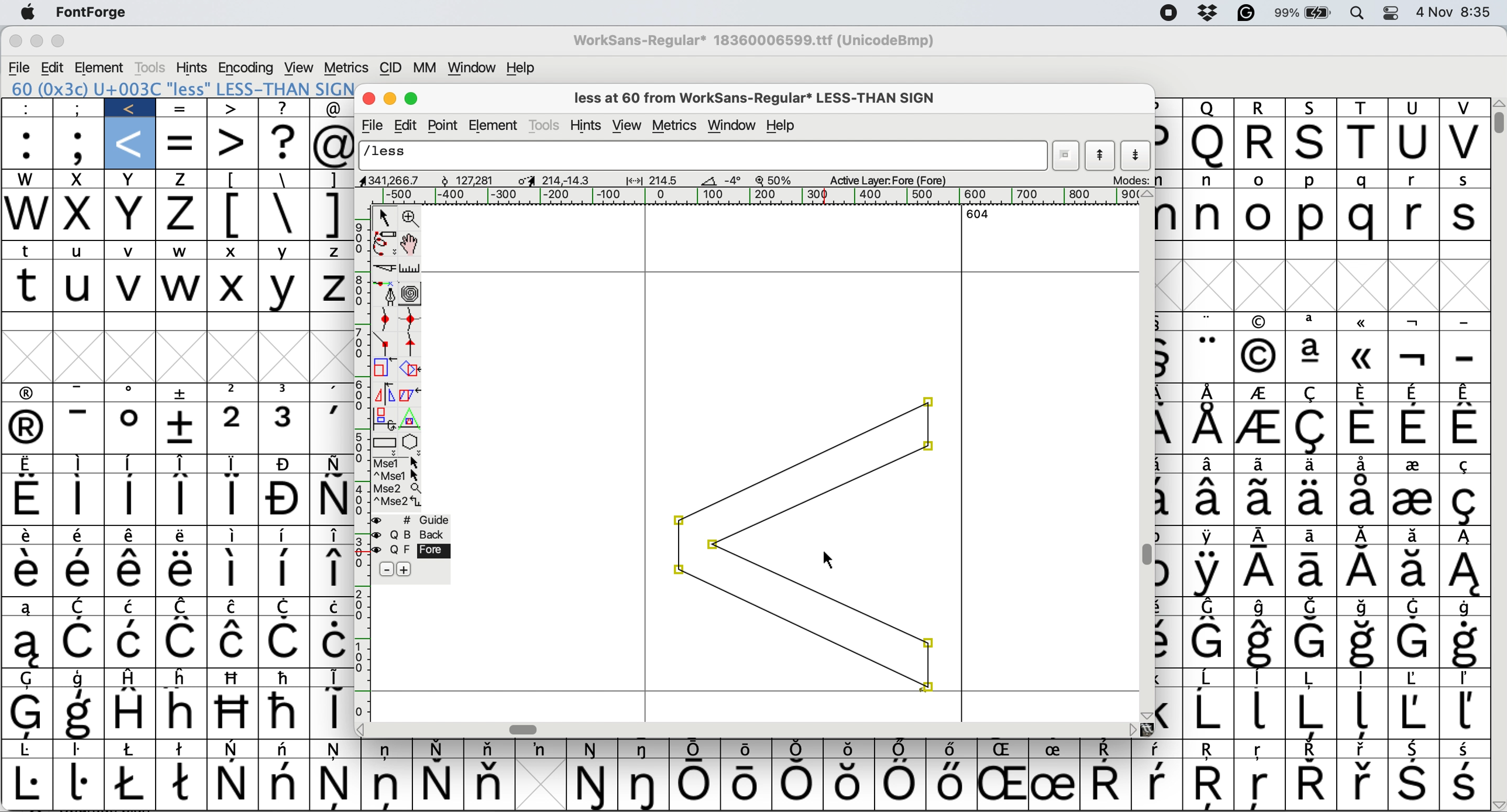  Describe the element at coordinates (1261, 108) in the screenshot. I see `r` at that location.